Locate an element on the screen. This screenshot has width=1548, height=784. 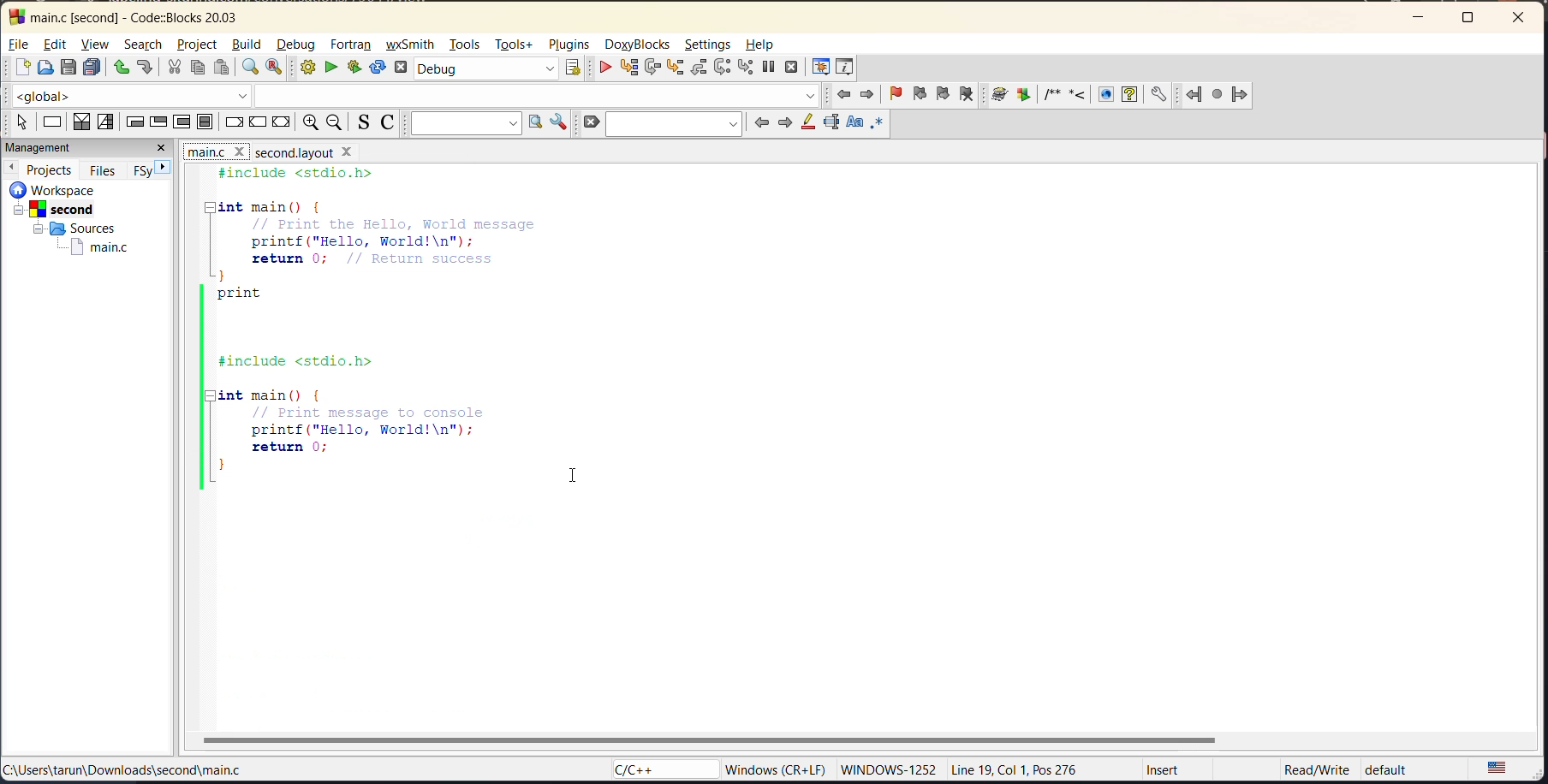
debug is located at coordinates (299, 45).